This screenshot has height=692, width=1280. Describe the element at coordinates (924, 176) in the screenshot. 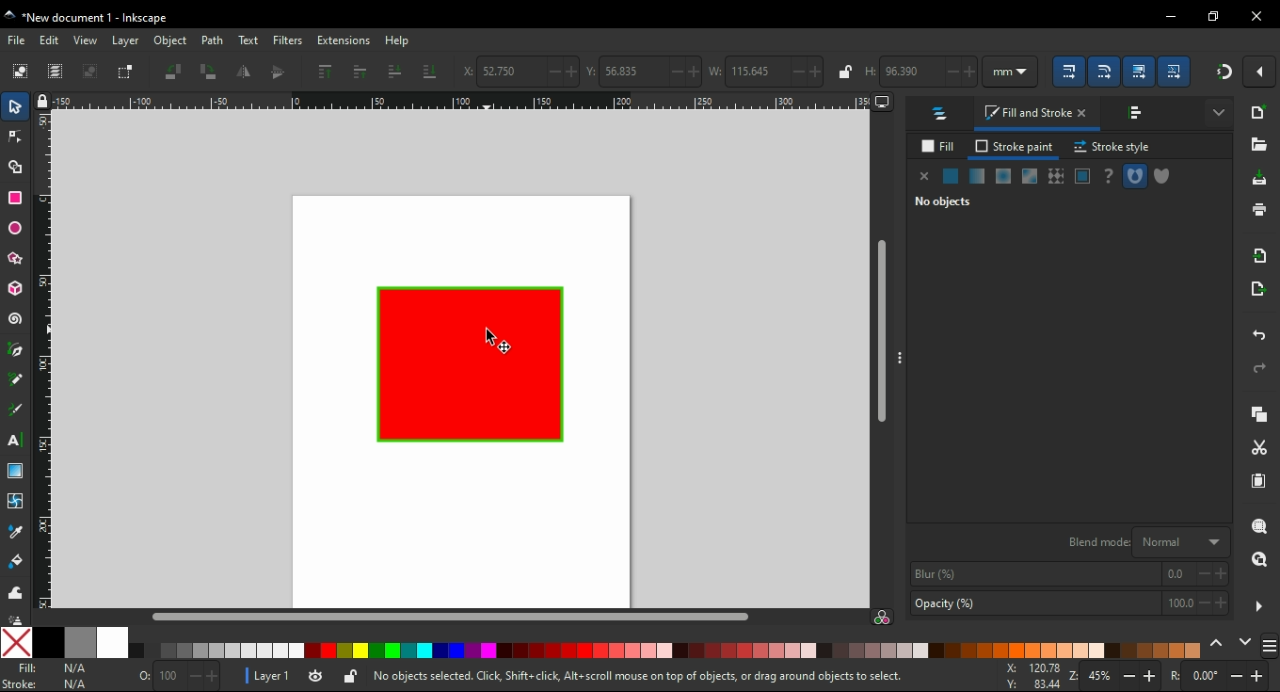

I see `none` at that location.